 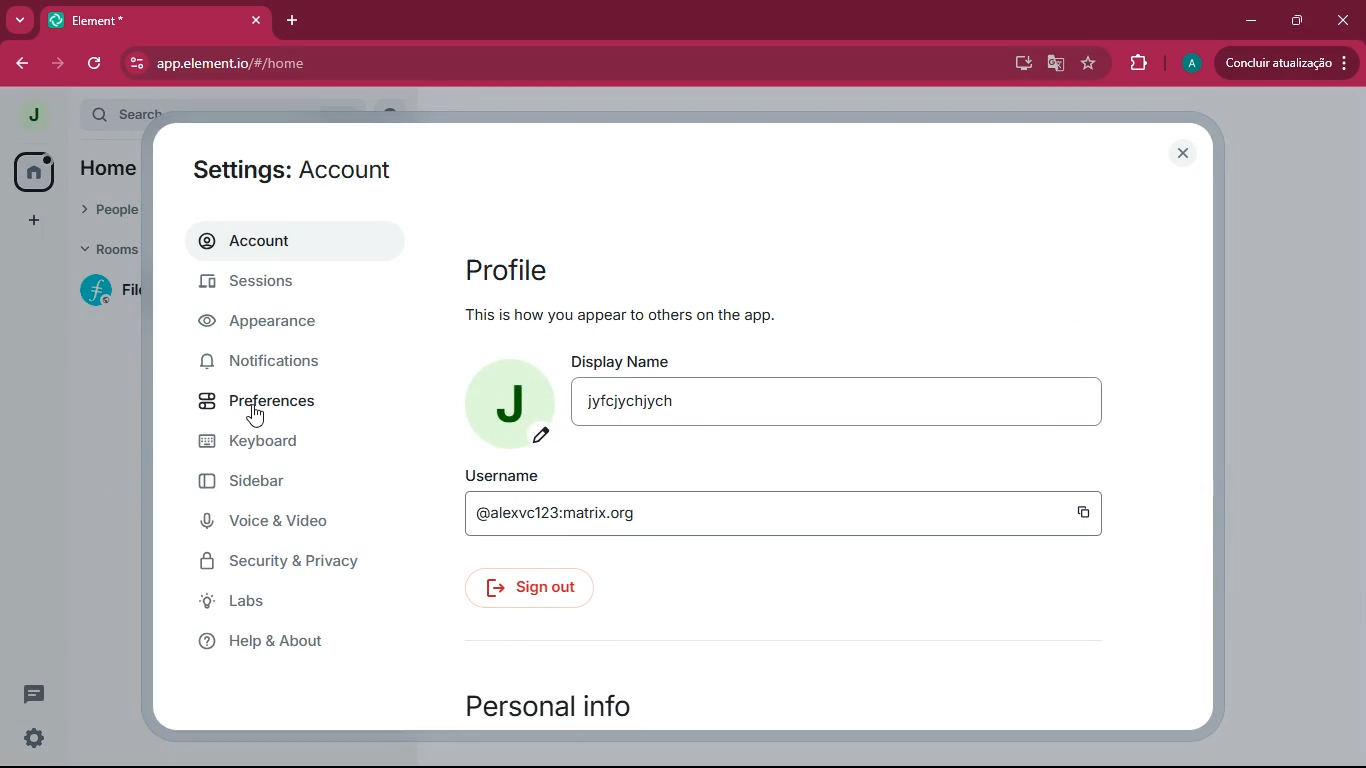 What do you see at coordinates (1181, 154) in the screenshot?
I see `close` at bounding box center [1181, 154].